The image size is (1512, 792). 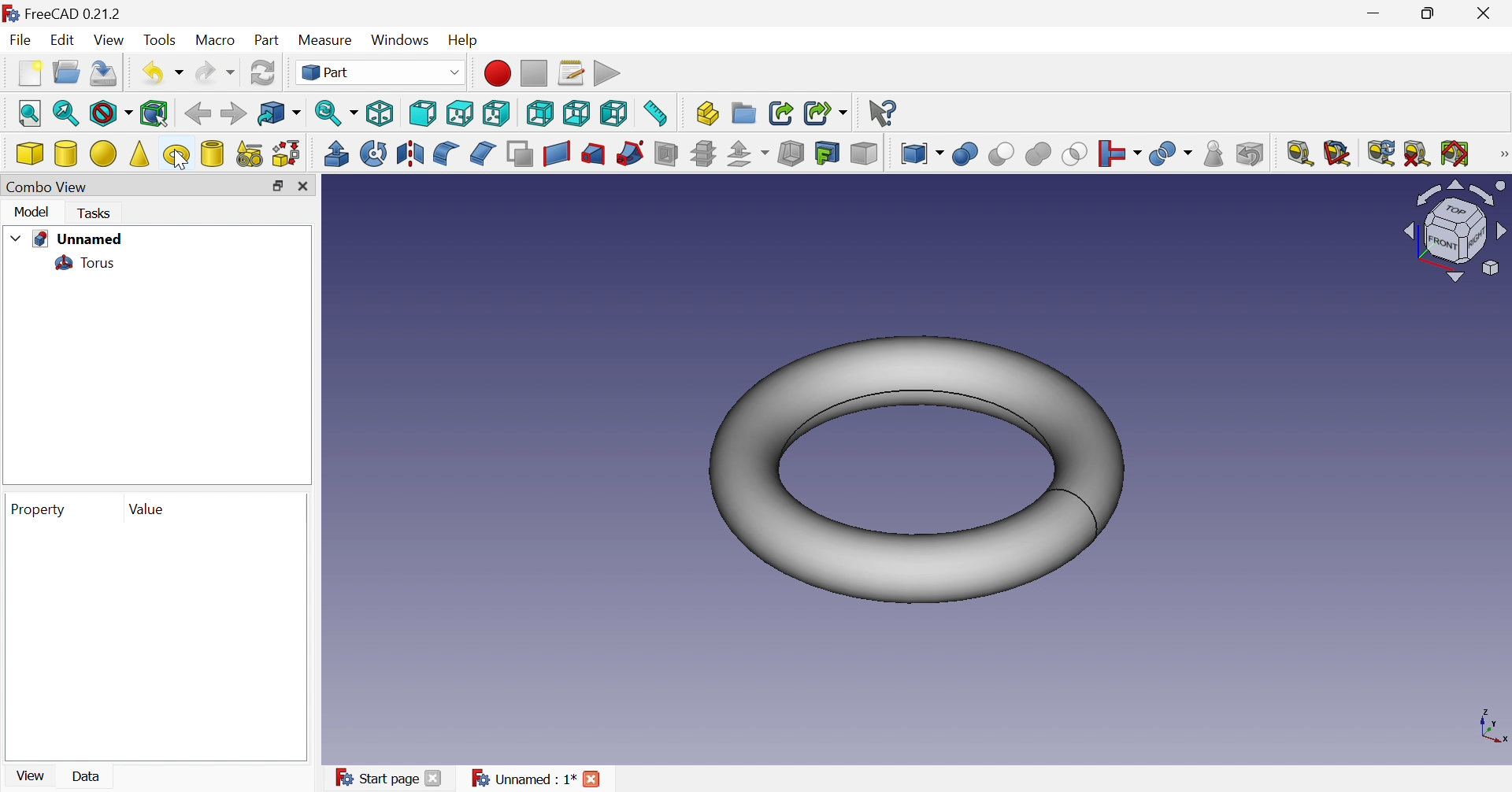 What do you see at coordinates (382, 113) in the screenshot?
I see `Isometric` at bounding box center [382, 113].